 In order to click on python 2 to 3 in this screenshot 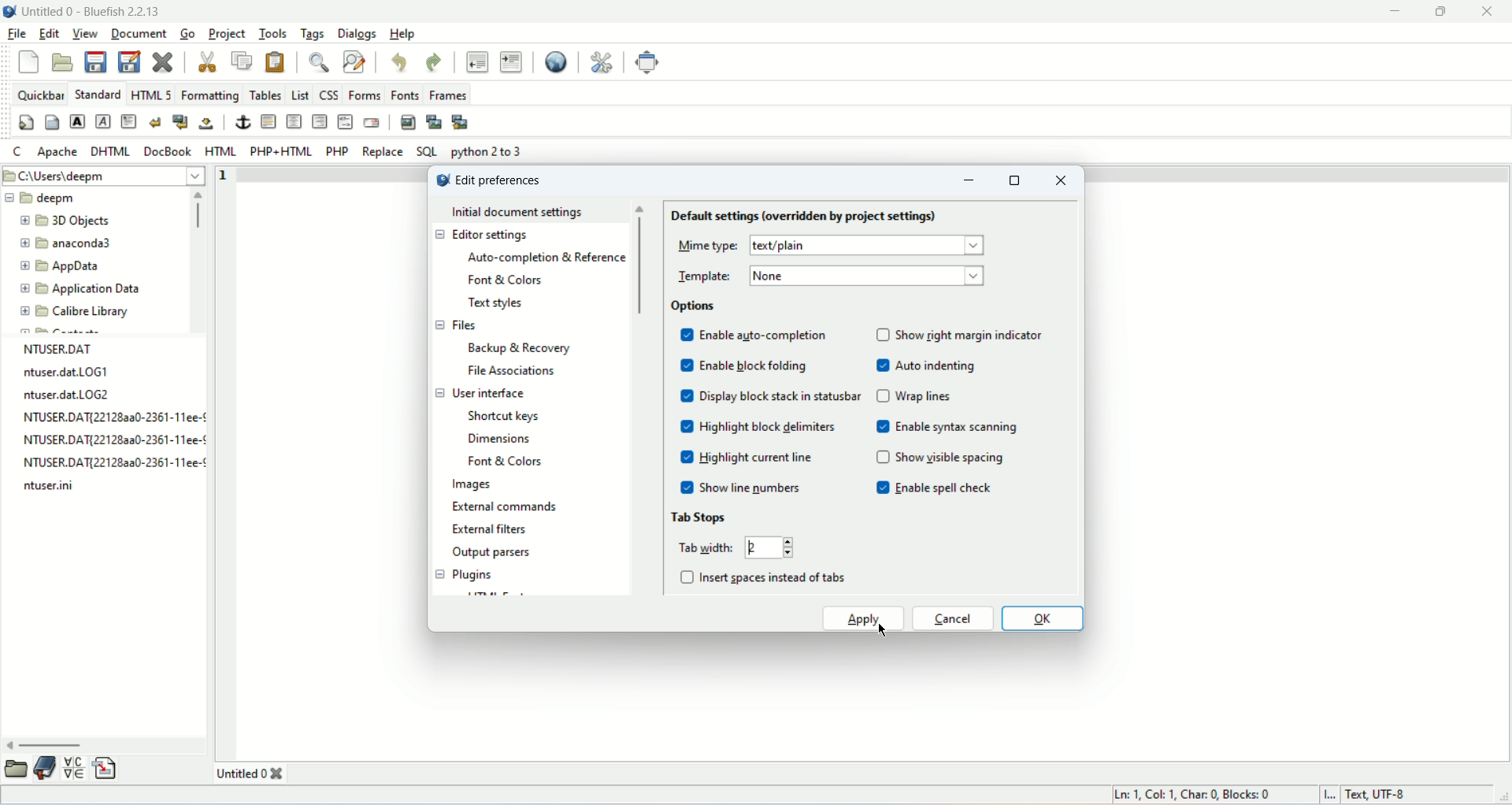, I will do `click(491, 153)`.